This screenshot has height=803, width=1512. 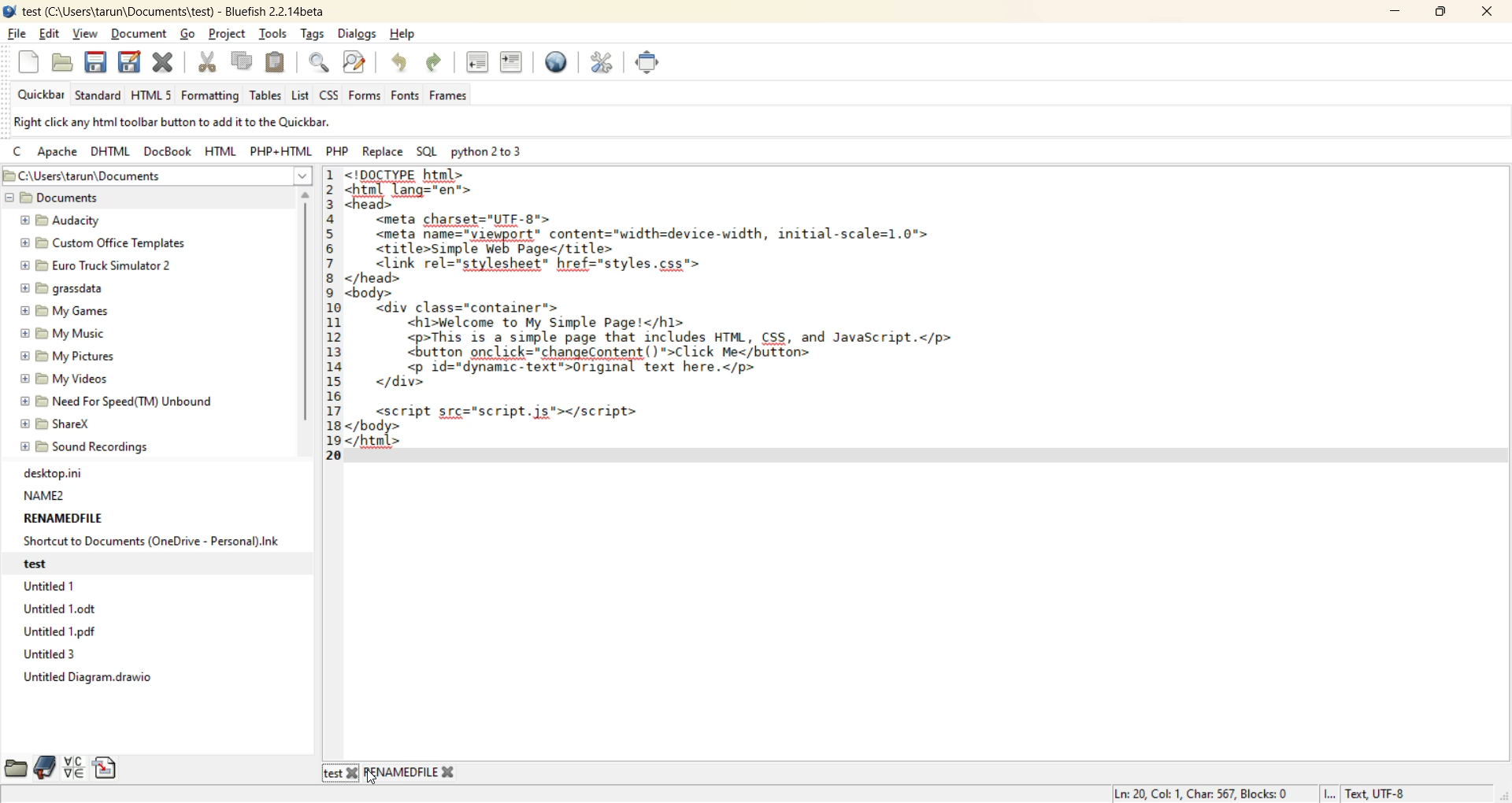 I want to click on cut, so click(x=207, y=64).